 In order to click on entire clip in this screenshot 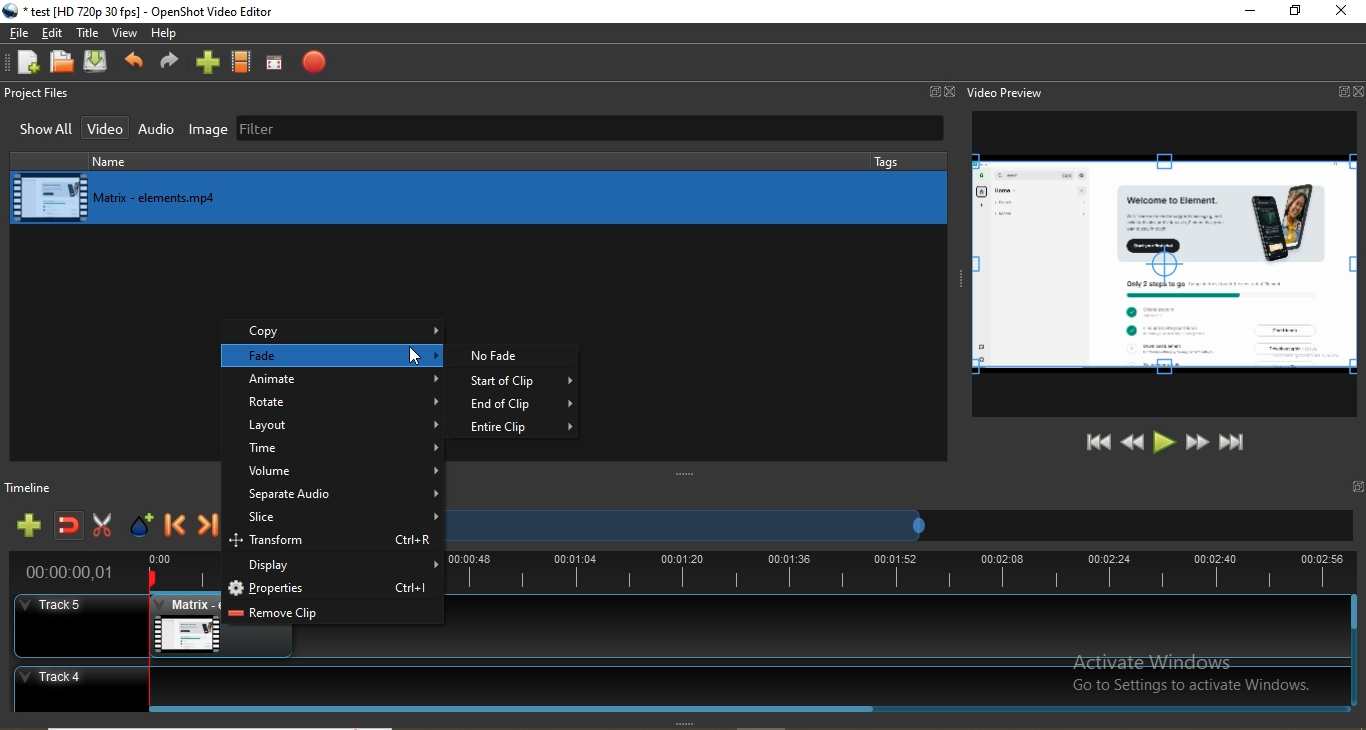, I will do `click(522, 426)`.